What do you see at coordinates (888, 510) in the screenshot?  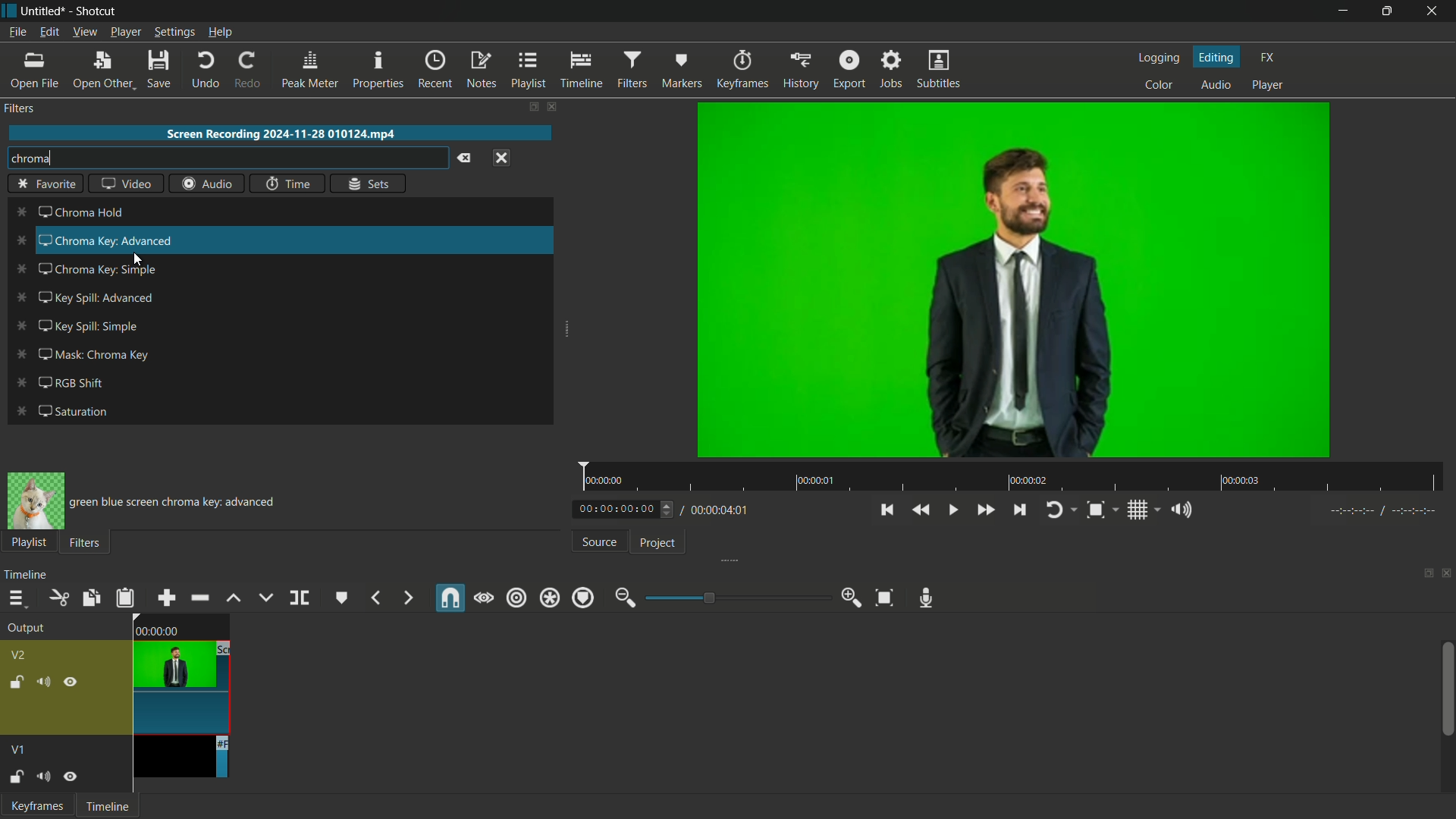 I see `skip to the previous point` at bounding box center [888, 510].